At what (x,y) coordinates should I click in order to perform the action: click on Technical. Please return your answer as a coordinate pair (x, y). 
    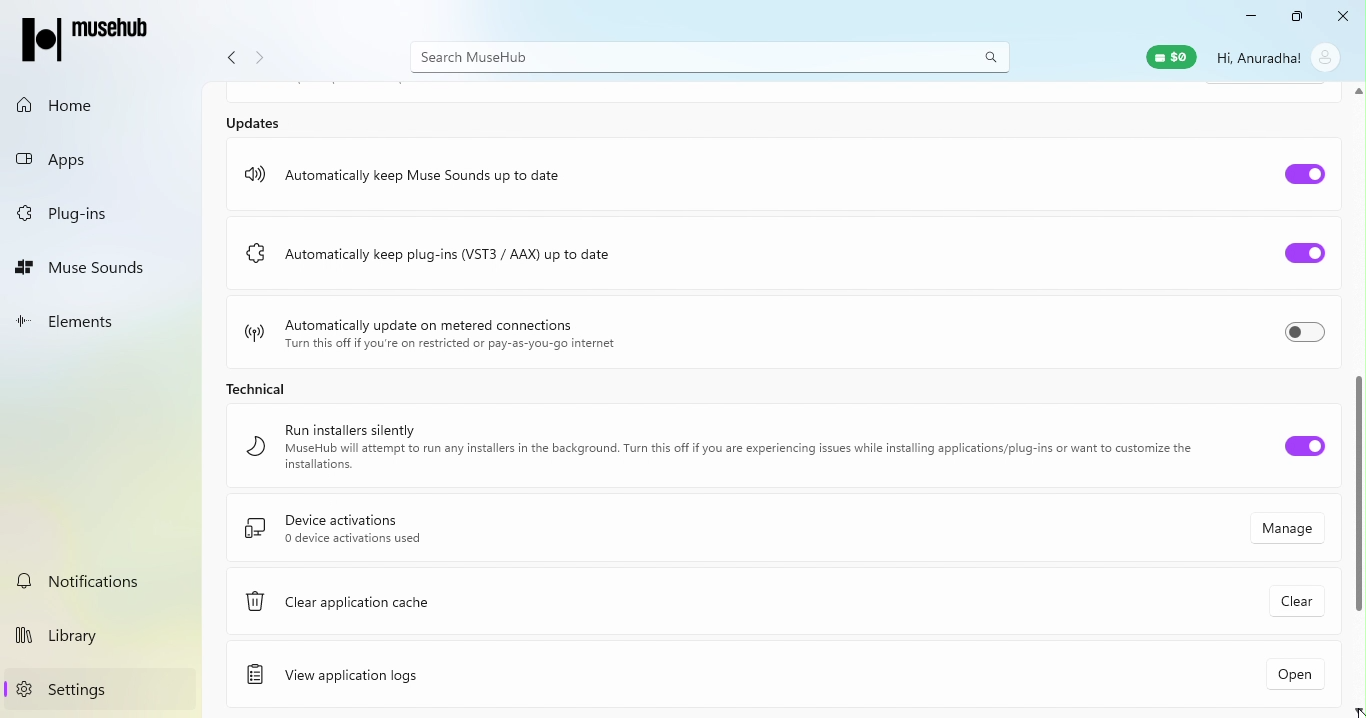
    Looking at the image, I should click on (279, 390).